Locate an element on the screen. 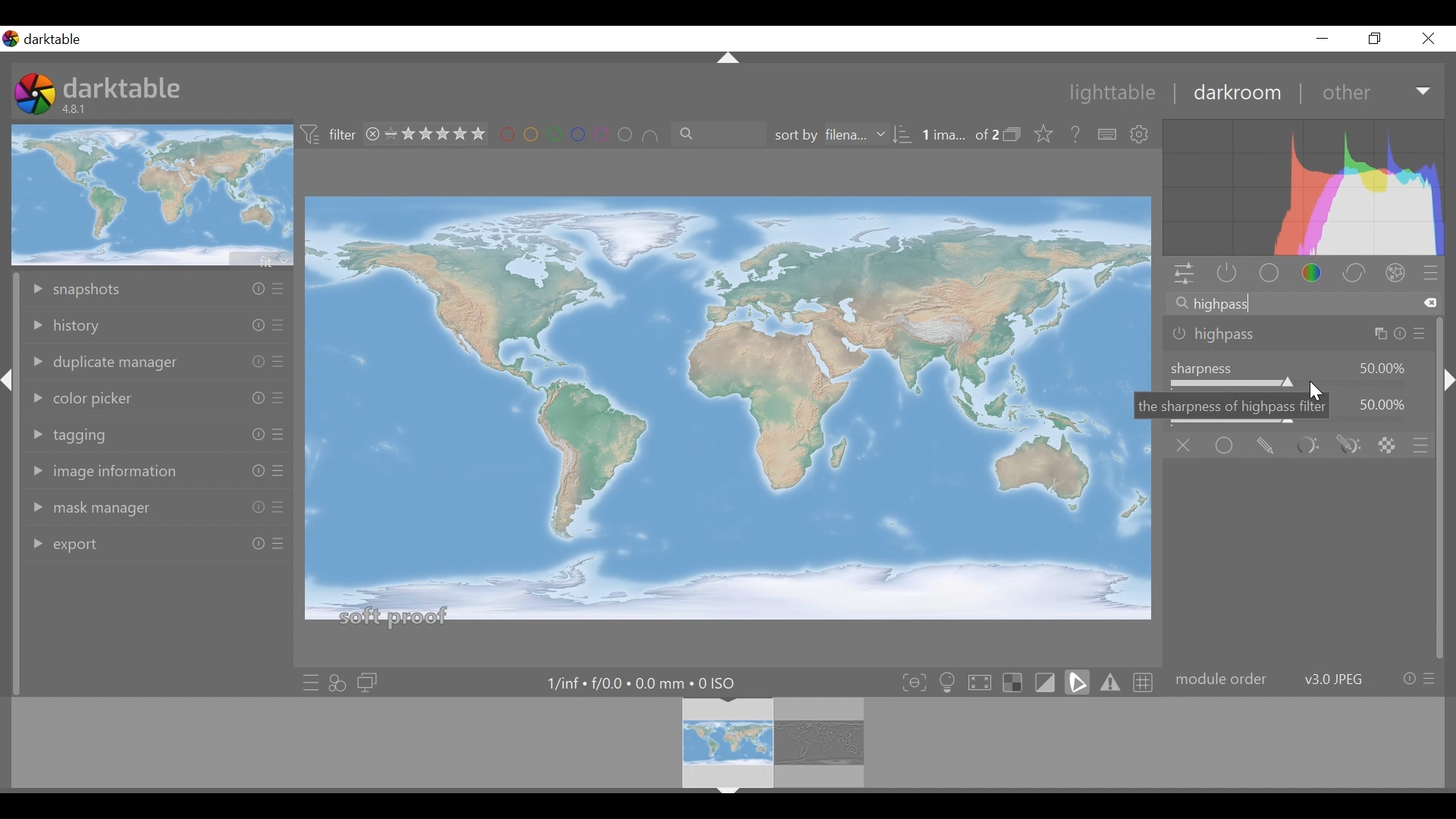 The height and width of the screenshot is (819, 1456). quick access panel is located at coordinates (1184, 275).